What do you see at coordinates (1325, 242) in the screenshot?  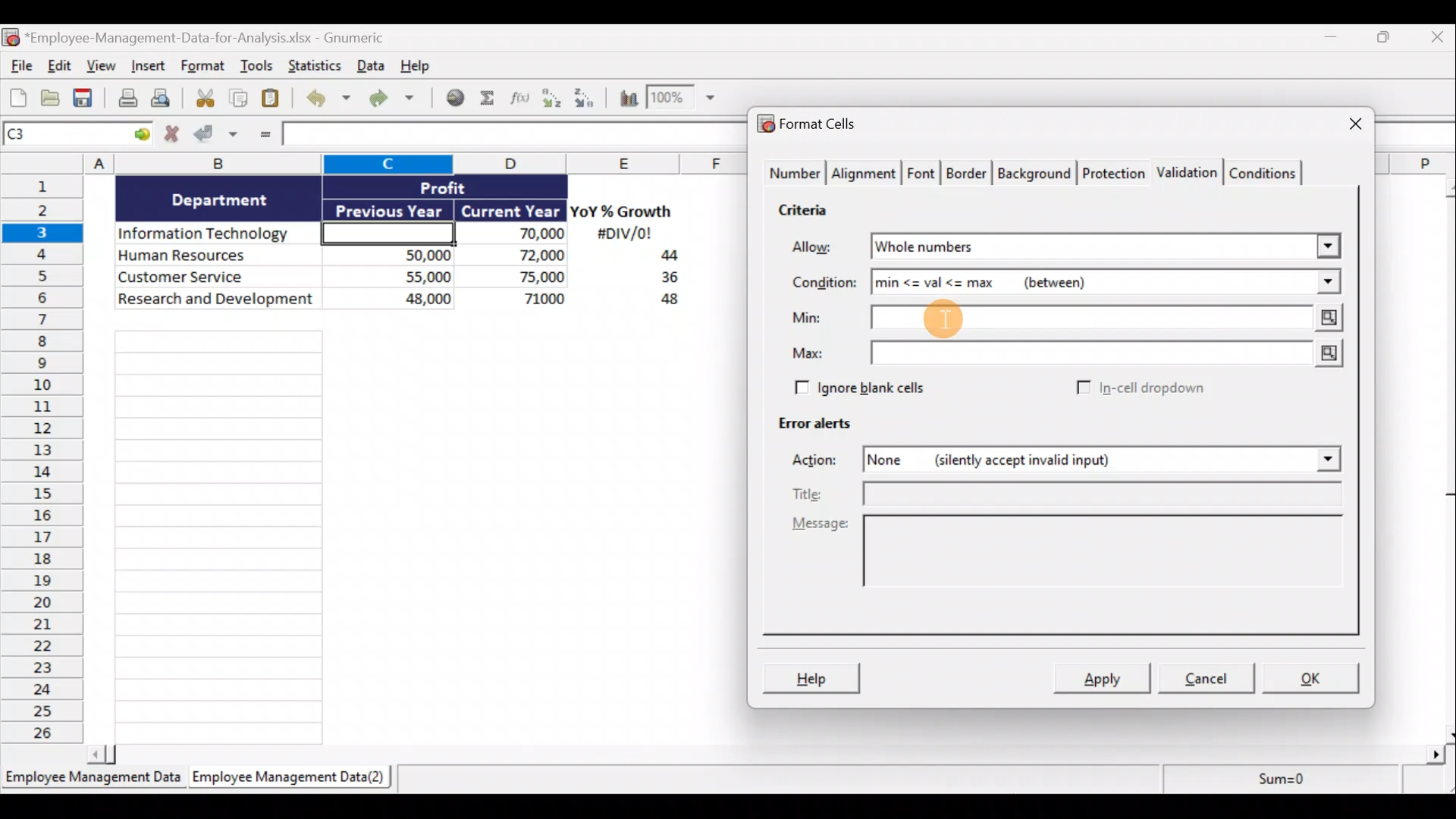 I see `Allow drop down` at bounding box center [1325, 242].